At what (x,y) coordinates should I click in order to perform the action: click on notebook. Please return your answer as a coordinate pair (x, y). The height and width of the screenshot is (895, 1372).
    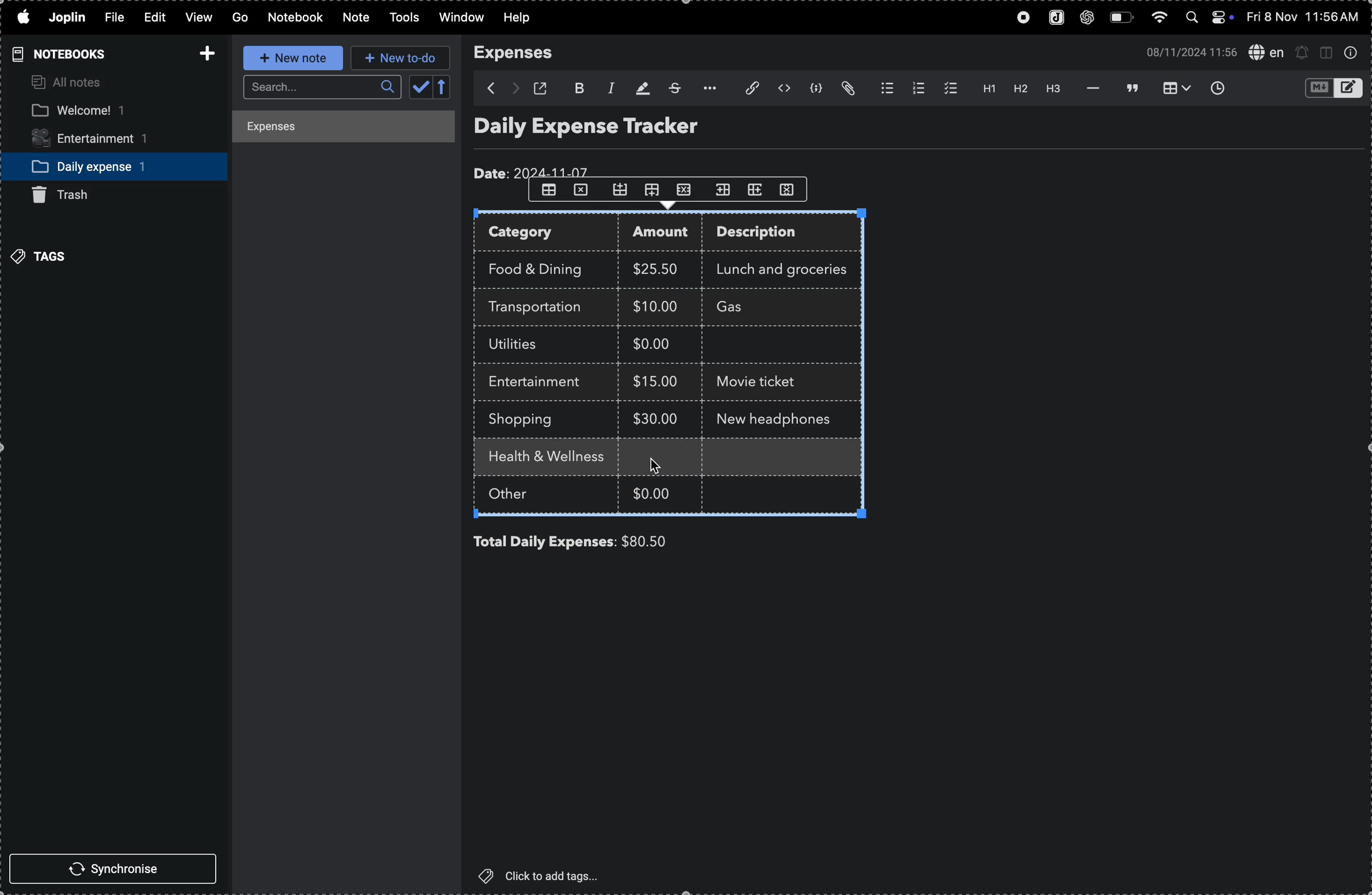
    Looking at the image, I should click on (296, 17).